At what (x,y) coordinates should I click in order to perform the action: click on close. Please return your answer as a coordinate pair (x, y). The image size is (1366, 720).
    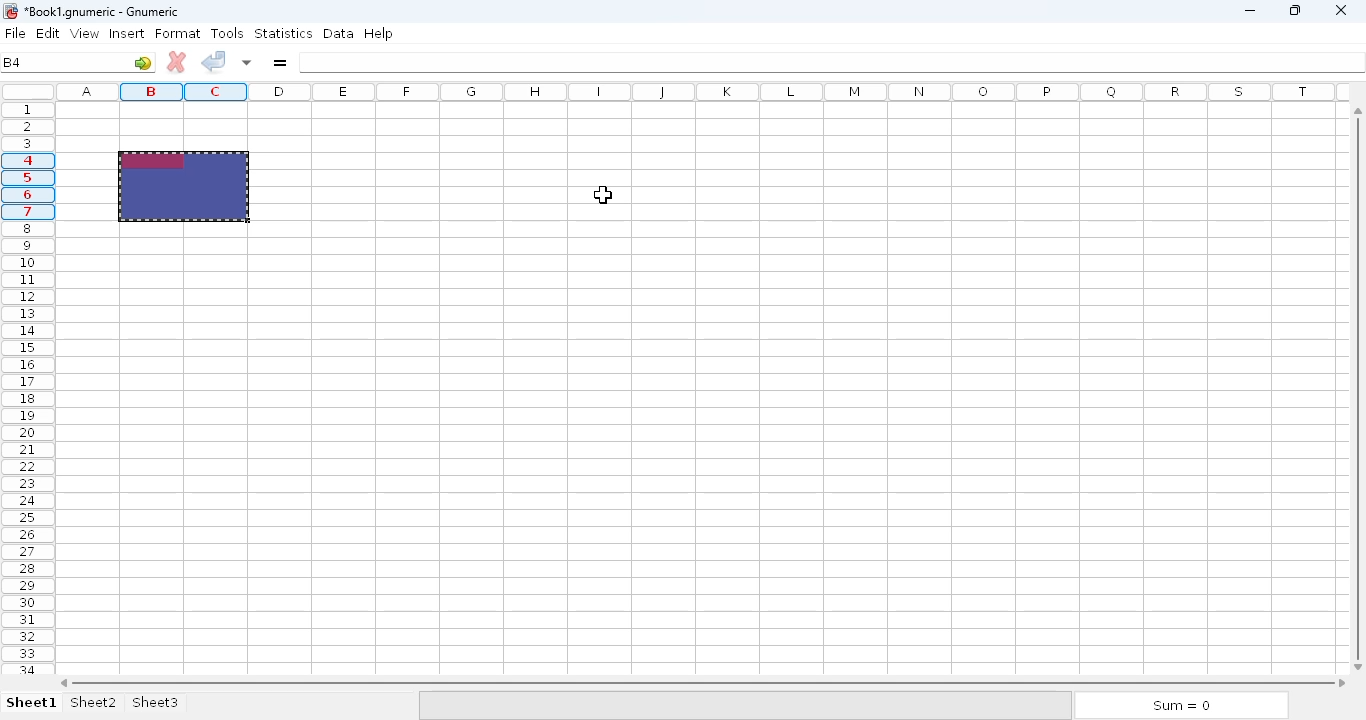
    Looking at the image, I should click on (1341, 17).